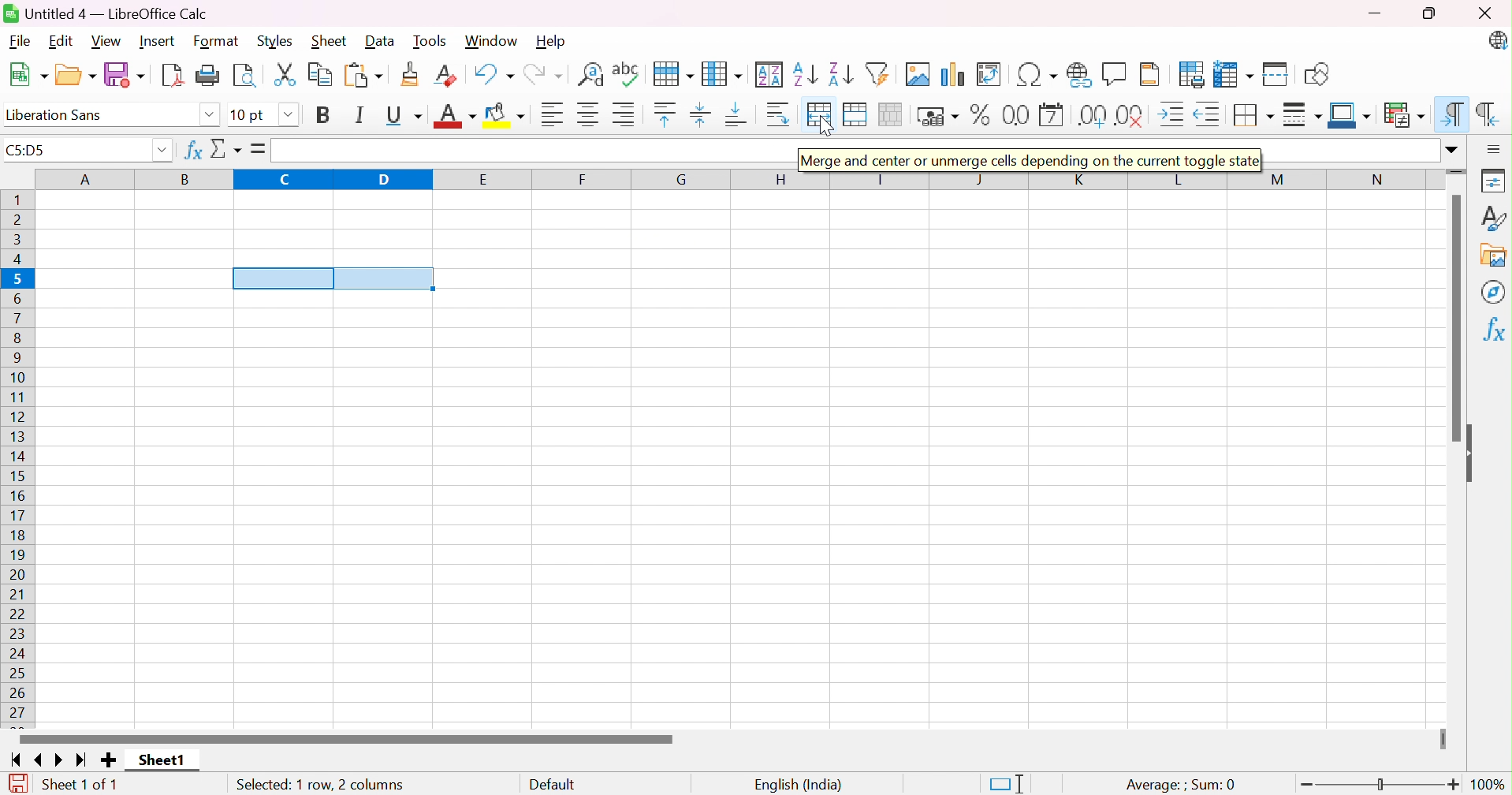  What do you see at coordinates (125, 74) in the screenshot?
I see `Save` at bounding box center [125, 74].